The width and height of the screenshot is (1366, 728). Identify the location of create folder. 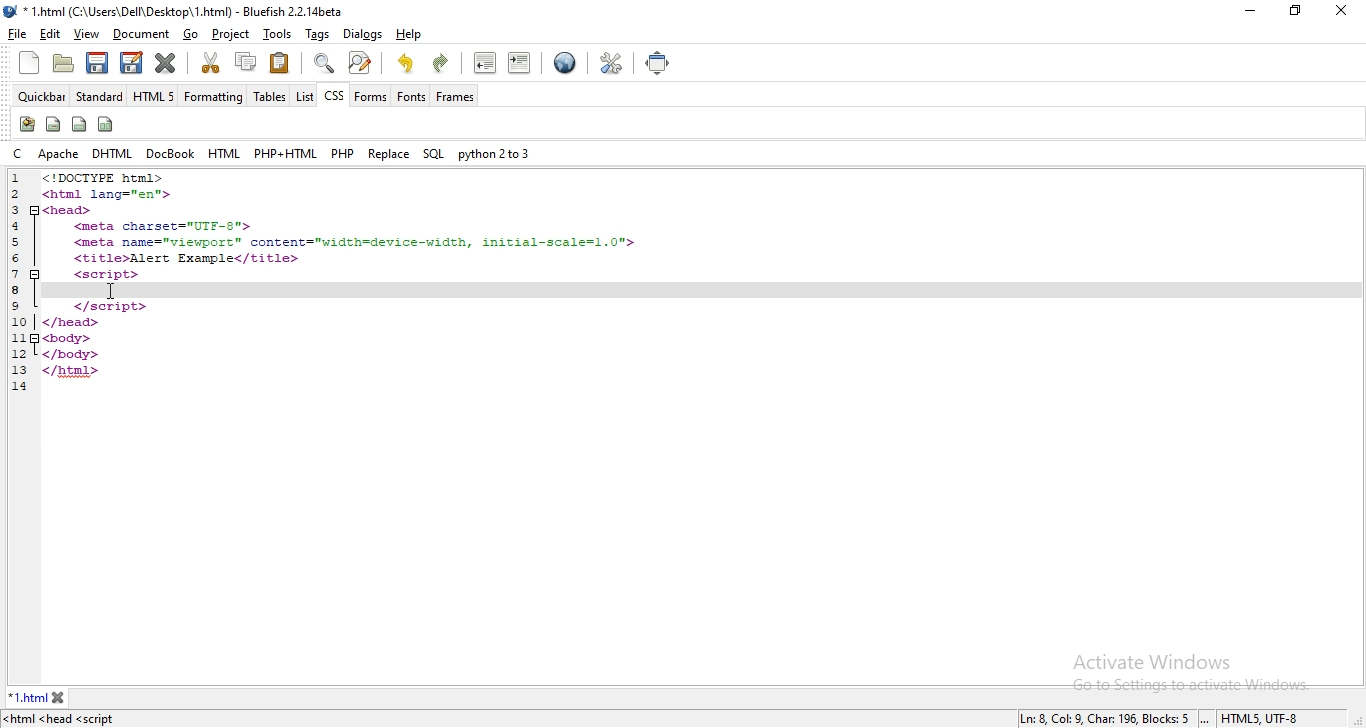
(65, 64).